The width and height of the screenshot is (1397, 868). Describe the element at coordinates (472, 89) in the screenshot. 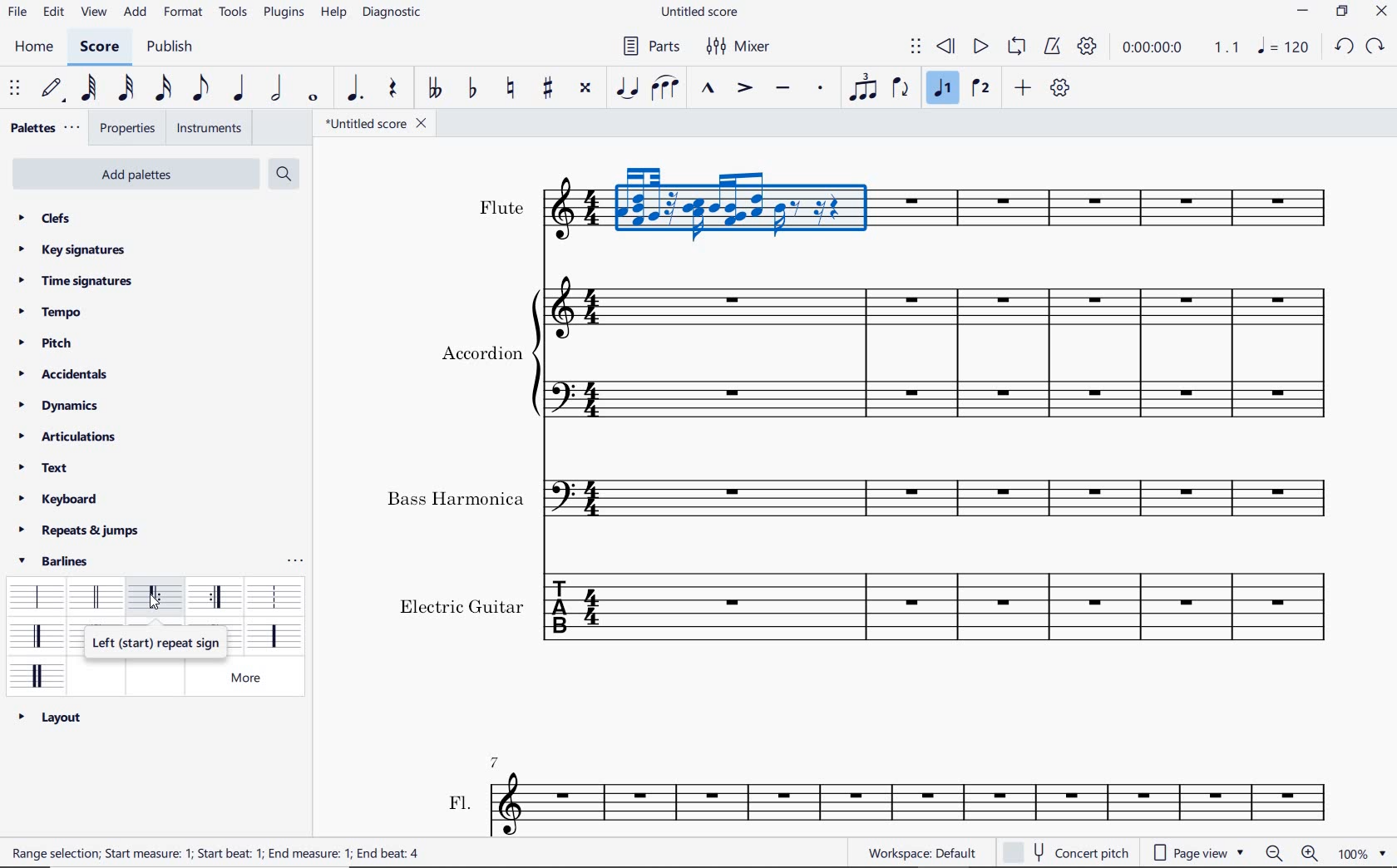

I see `toggle flat` at that location.